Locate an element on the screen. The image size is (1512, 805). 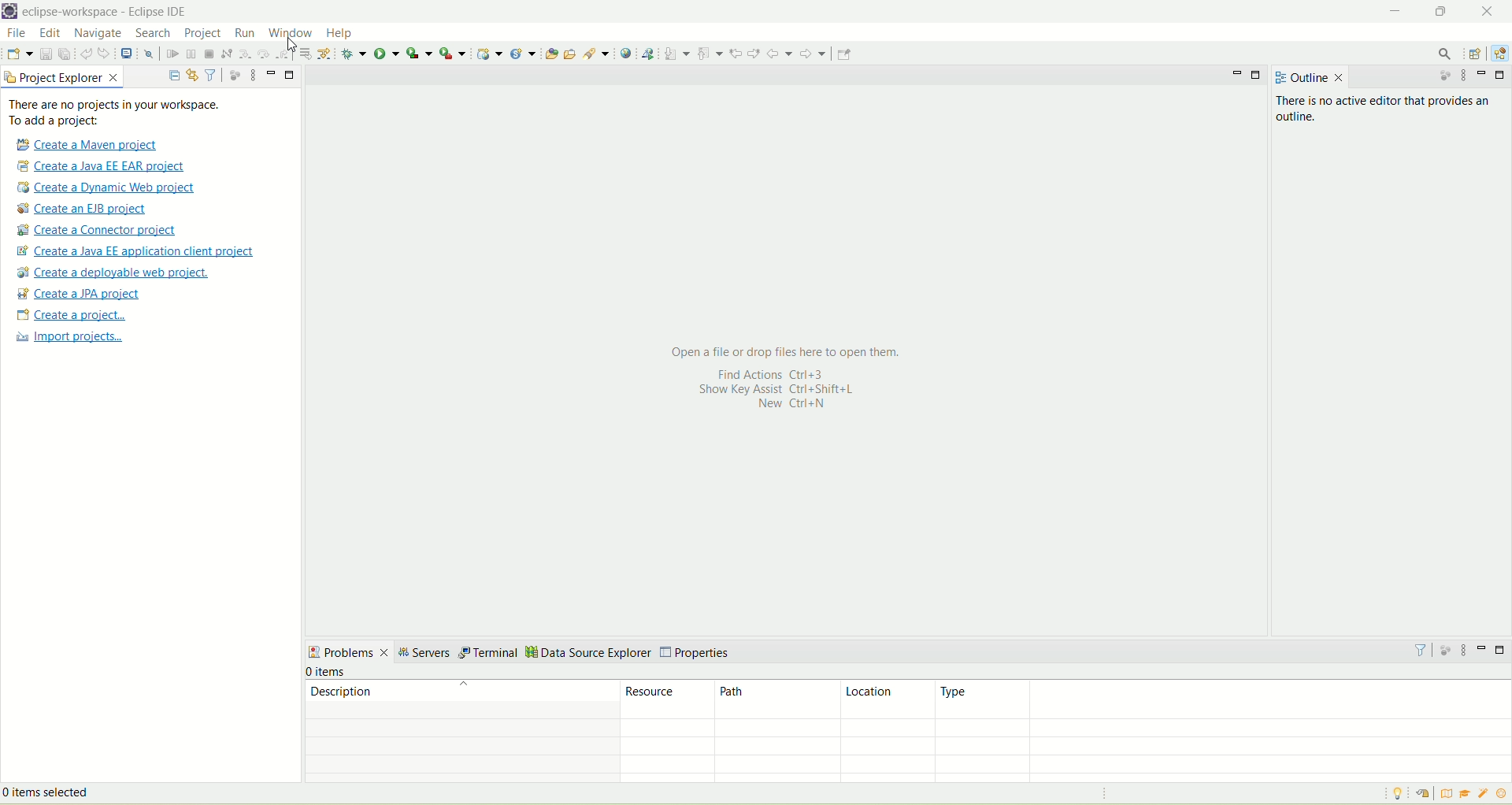
create a JPA project is located at coordinates (80, 294).